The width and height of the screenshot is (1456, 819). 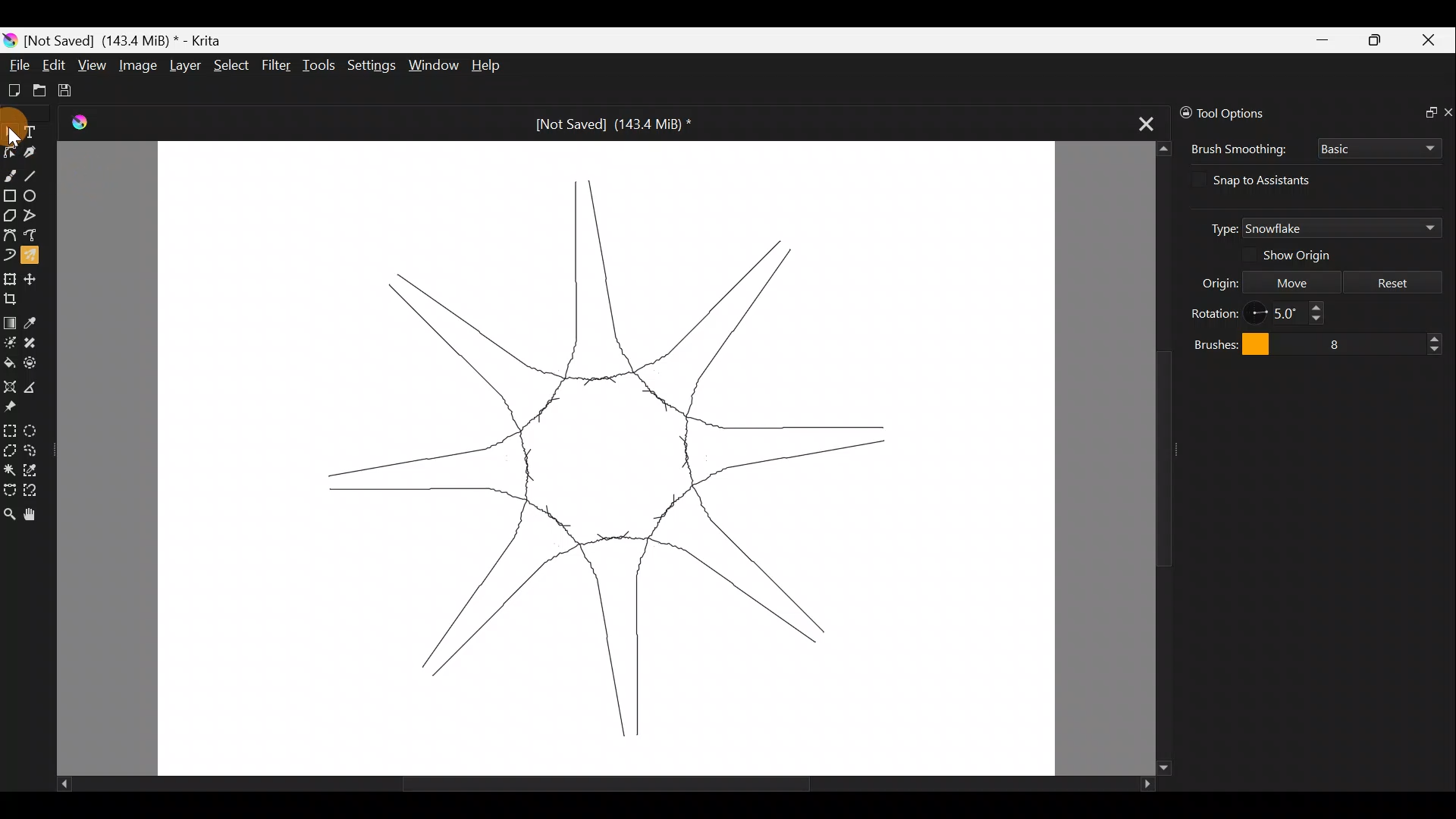 I want to click on Dynamic brush tool, so click(x=9, y=255).